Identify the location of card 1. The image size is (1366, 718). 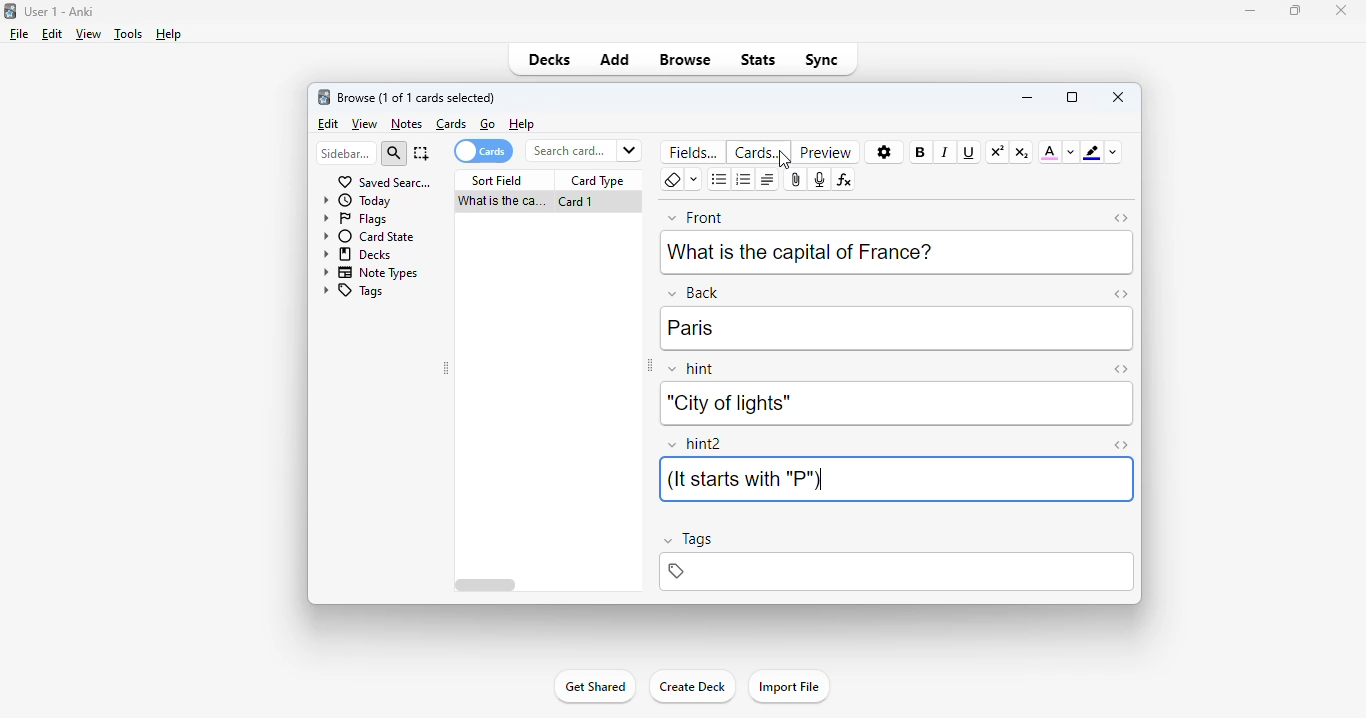
(576, 202).